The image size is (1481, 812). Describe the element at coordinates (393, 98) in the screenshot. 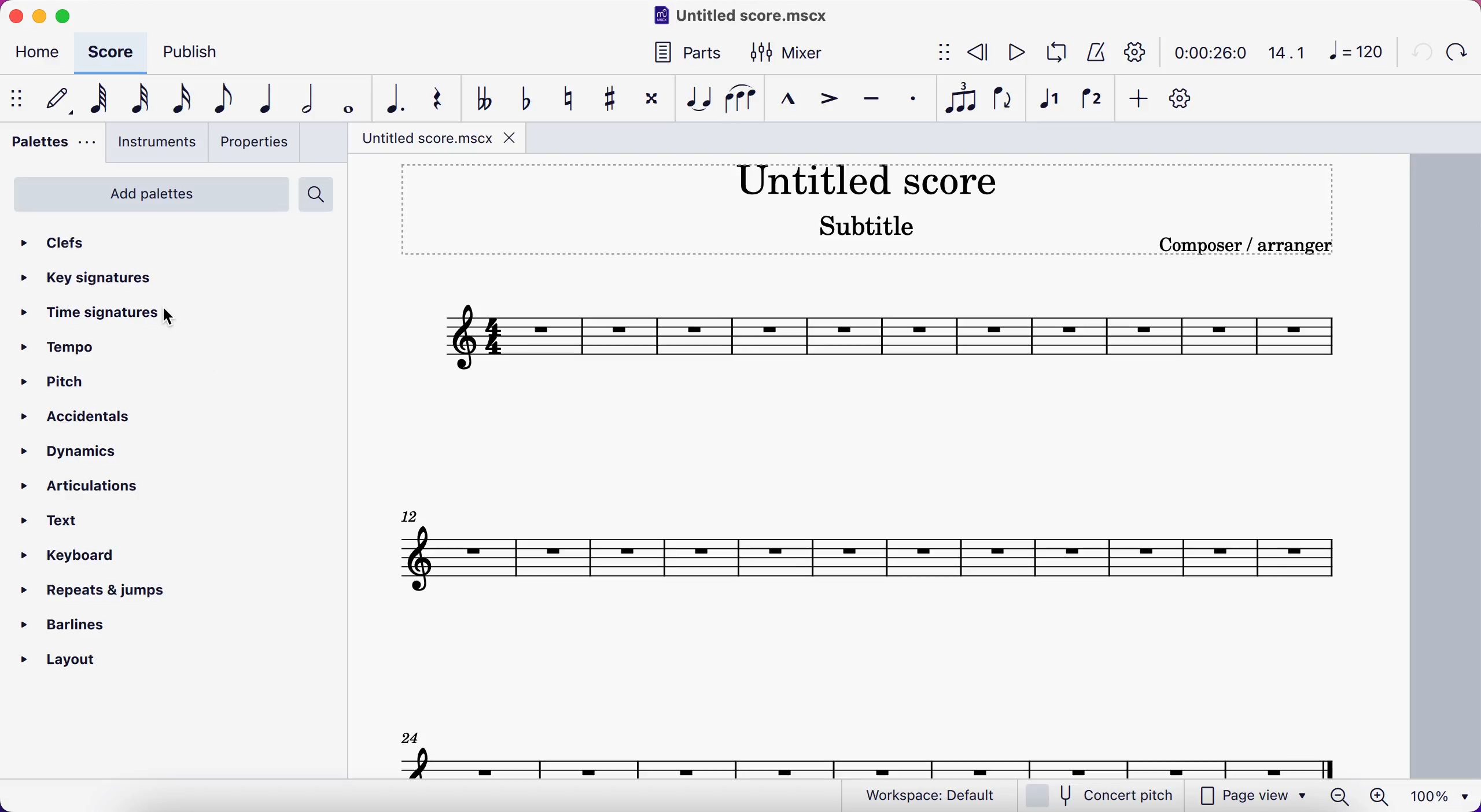

I see `augmentation dot` at that location.